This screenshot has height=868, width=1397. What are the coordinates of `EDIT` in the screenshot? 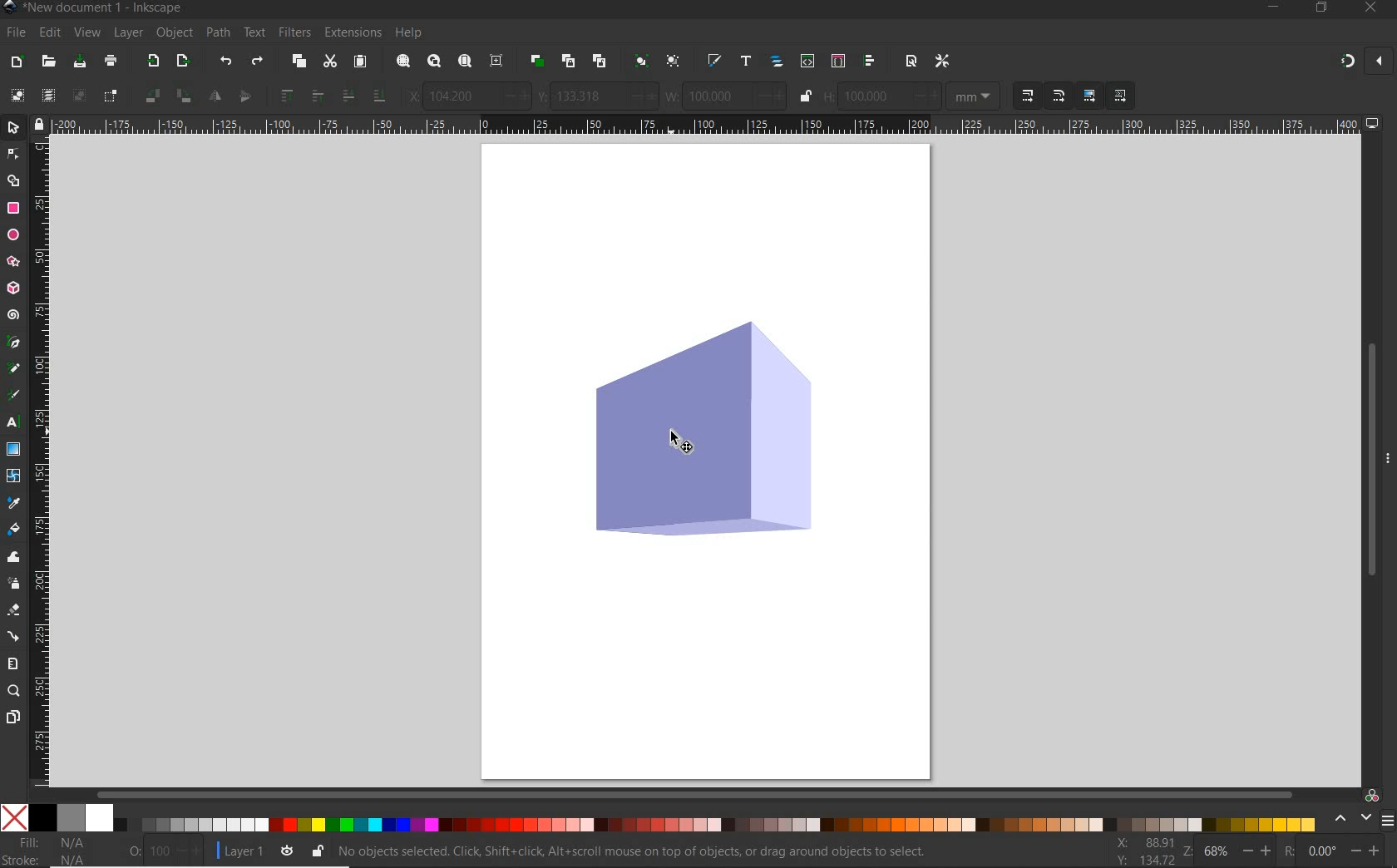 It's located at (48, 31).